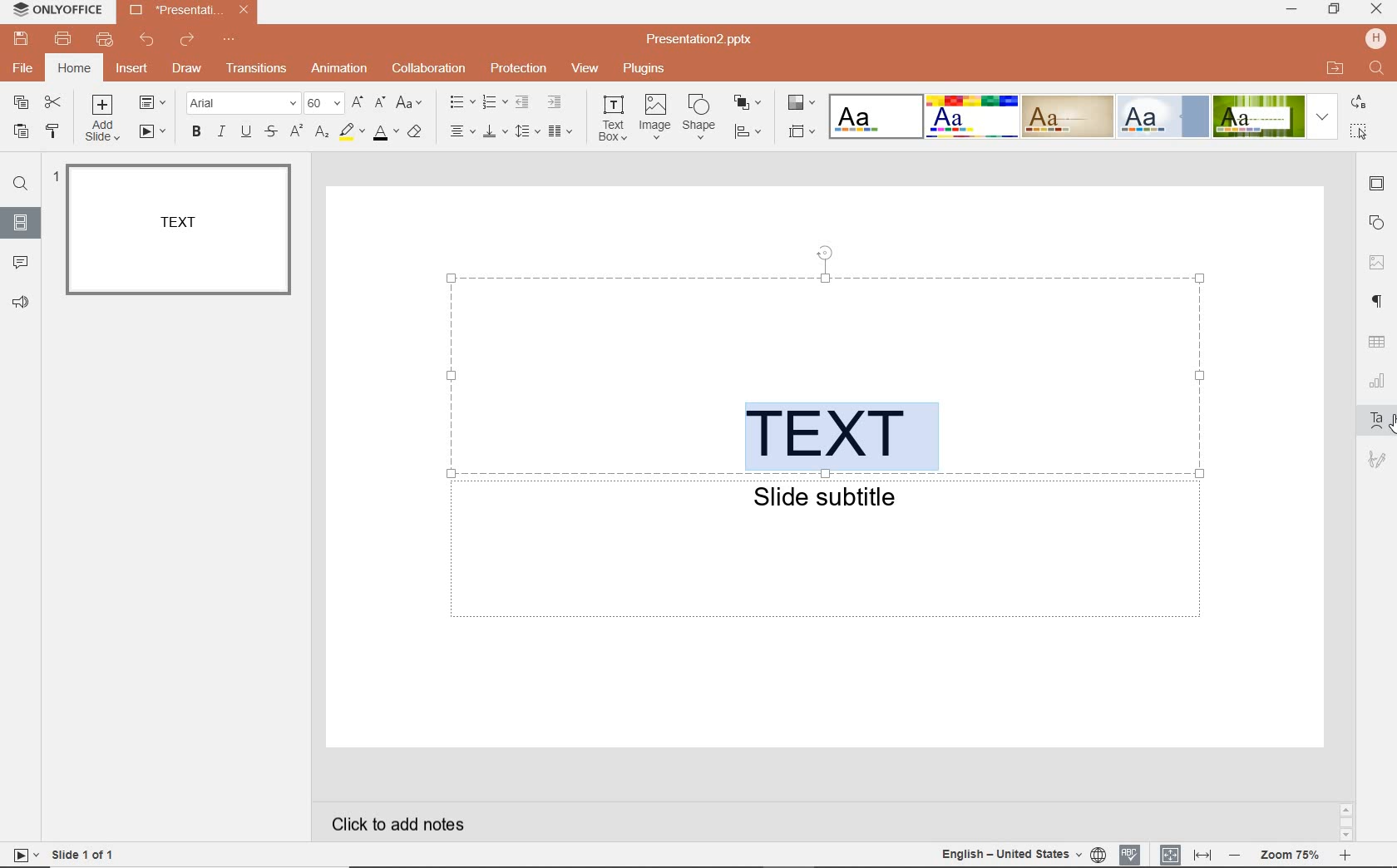 This screenshot has width=1397, height=868. What do you see at coordinates (175, 9) in the screenshot?
I see `FILE NAME` at bounding box center [175, 9].